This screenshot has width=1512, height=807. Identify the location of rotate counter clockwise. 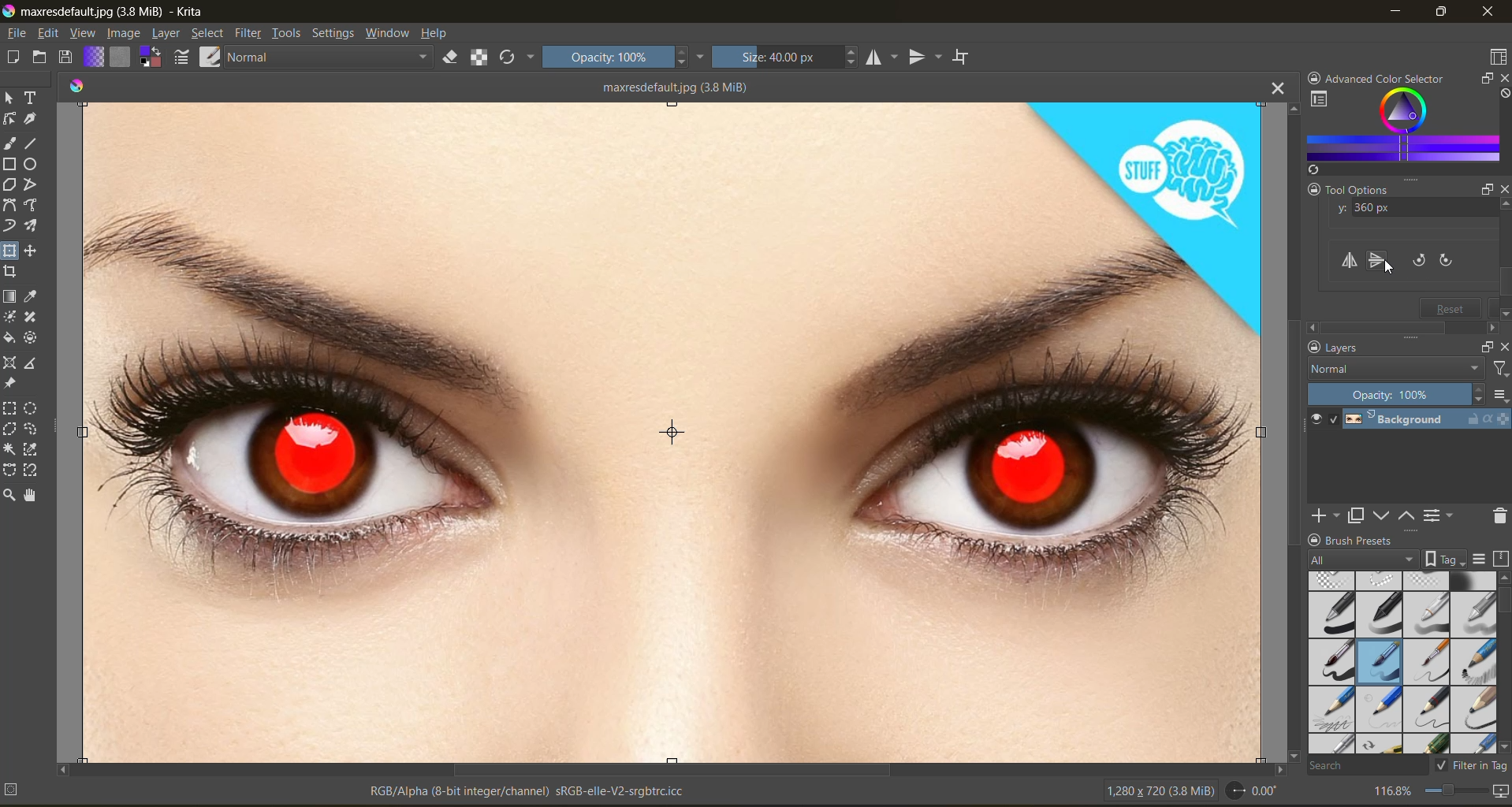
(1420, 258).